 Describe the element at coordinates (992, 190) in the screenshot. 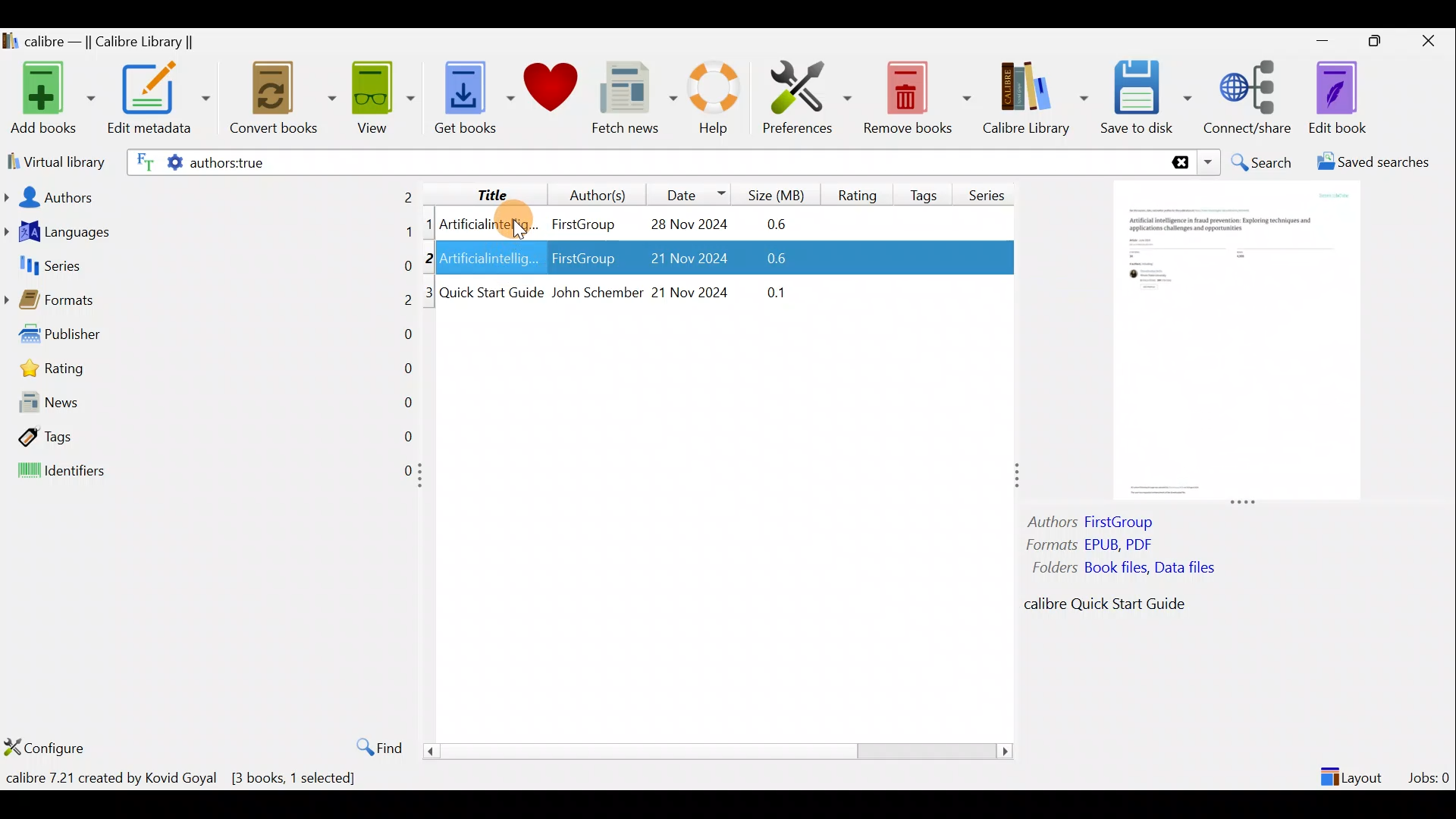

I see `Series` at that location.